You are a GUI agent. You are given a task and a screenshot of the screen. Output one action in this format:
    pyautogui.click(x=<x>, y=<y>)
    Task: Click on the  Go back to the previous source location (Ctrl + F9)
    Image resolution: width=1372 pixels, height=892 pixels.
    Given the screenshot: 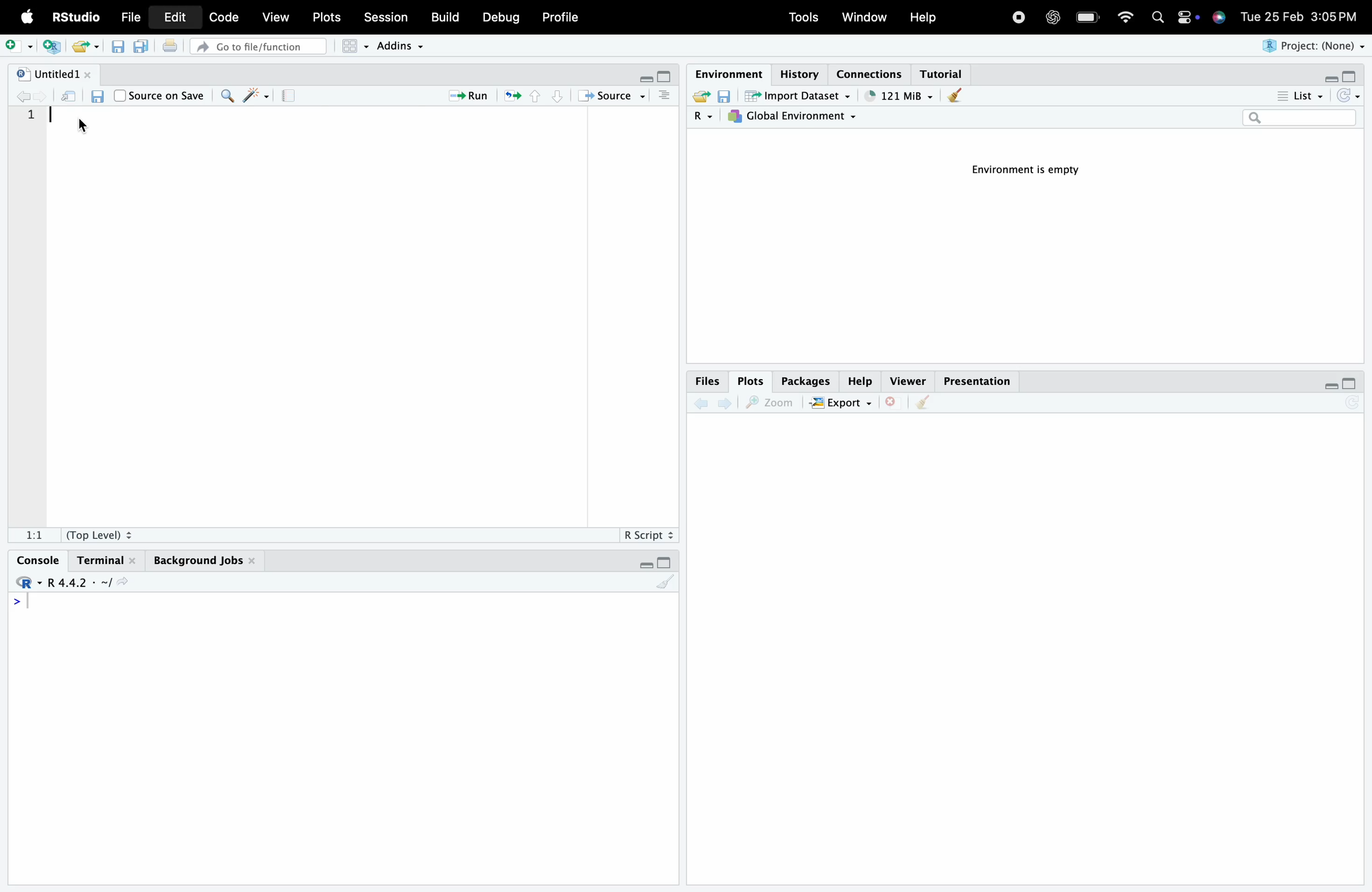 What is the action you would take?
    pyautogui.click(x=700, y=403)
    